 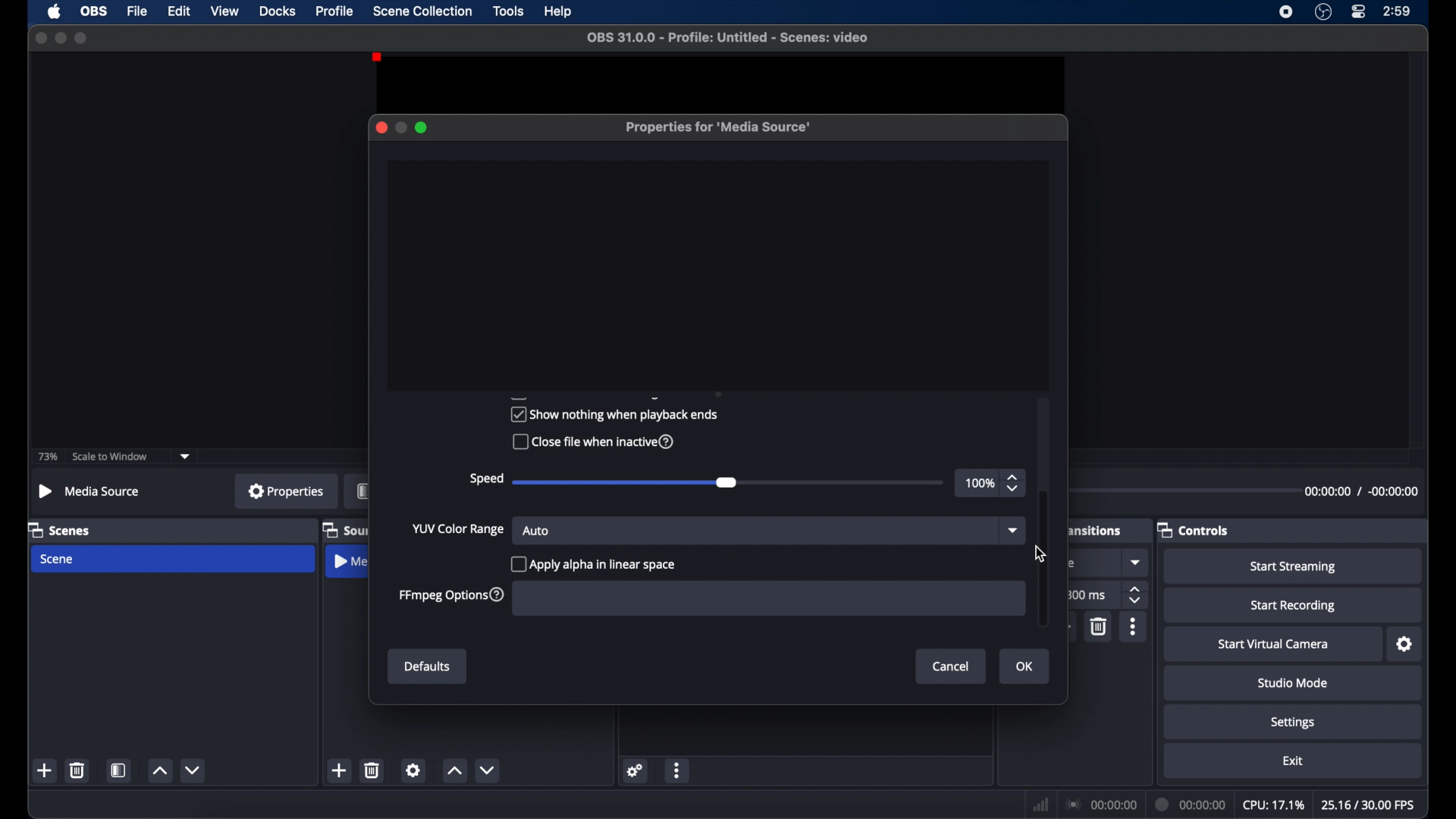 What do you see at coordinates (1087, 594) in the screenshot?
I see `300 ms` at bounding box center [1087, 594].